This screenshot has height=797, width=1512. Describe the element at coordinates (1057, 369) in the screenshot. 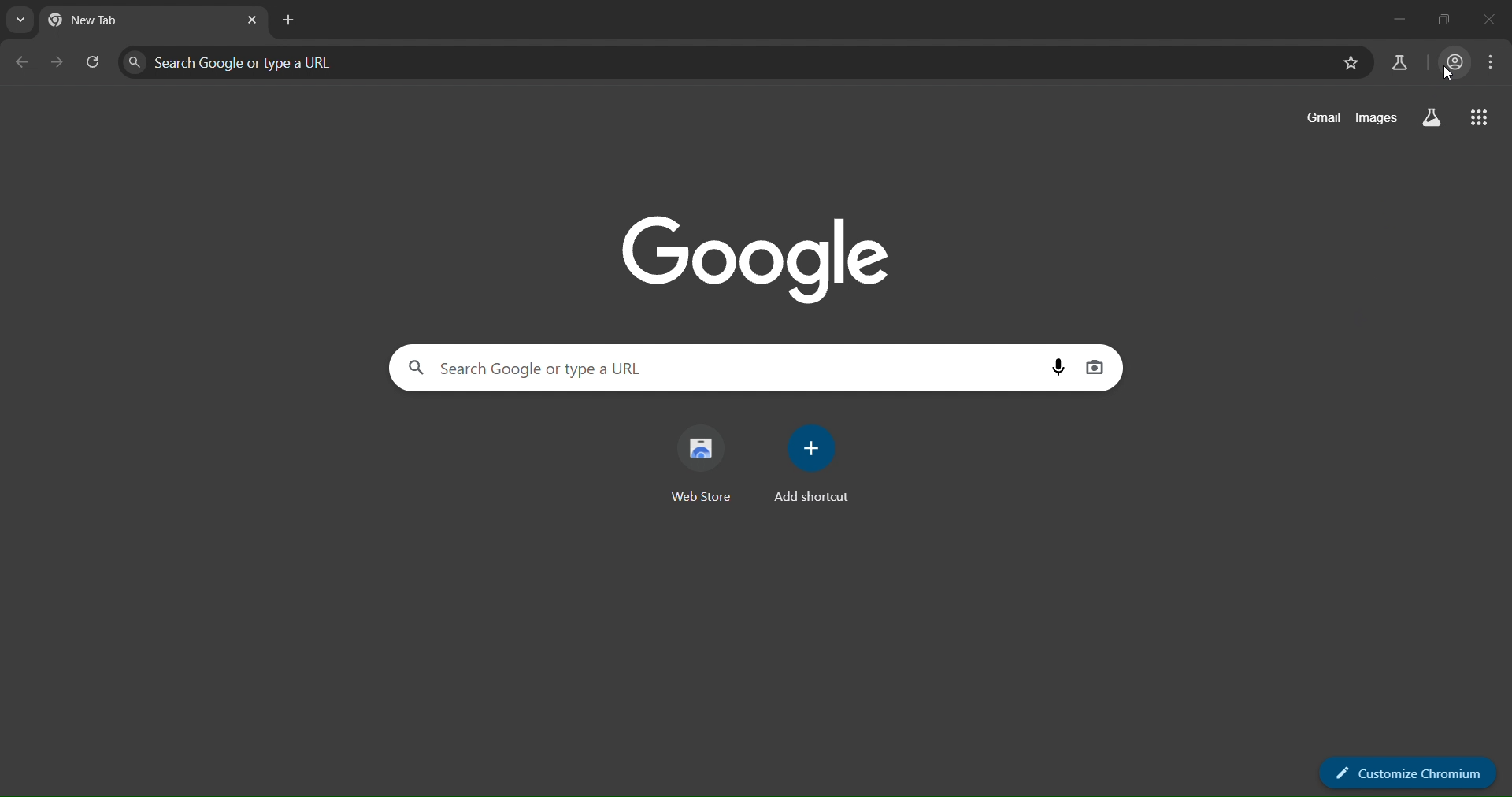

I see `voice search` at that location.